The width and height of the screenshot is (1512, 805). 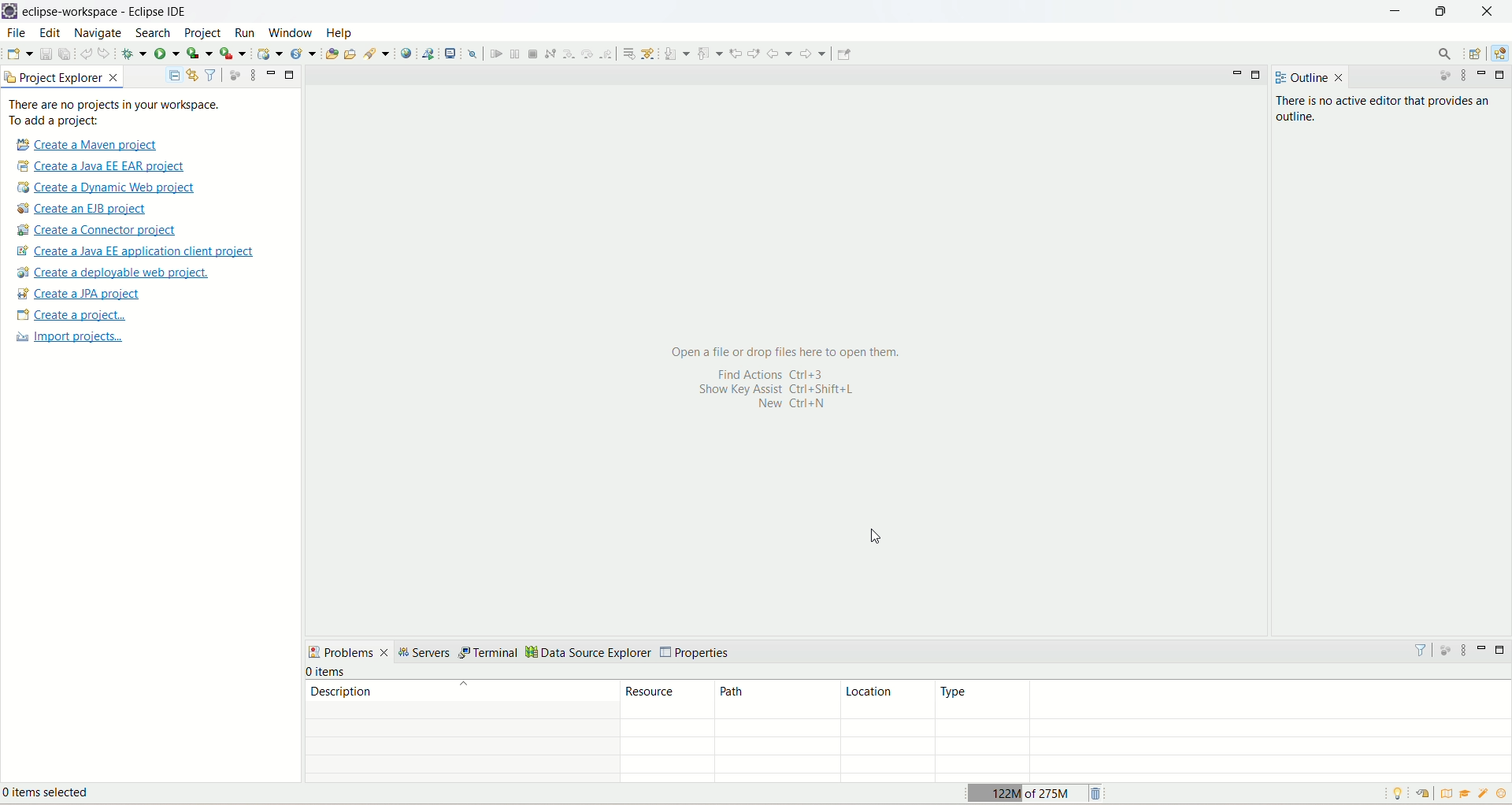 What do you see at coordinates (80, 294) in the screenshot?
I see `create JPA project` at bounding box center [80, 294].